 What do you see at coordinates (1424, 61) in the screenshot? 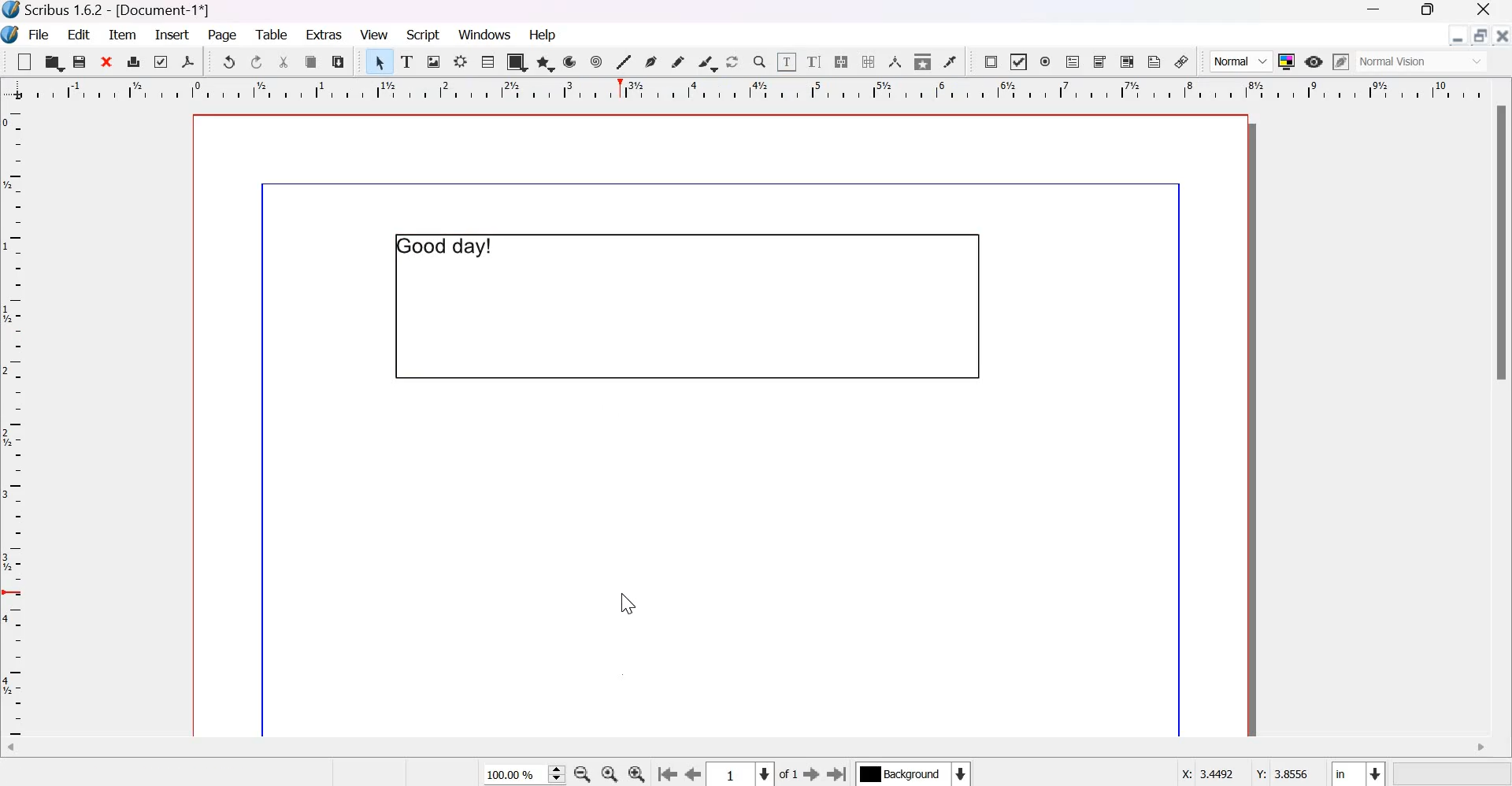
I see `Normal Vision` at bounding box center [1424, 61].